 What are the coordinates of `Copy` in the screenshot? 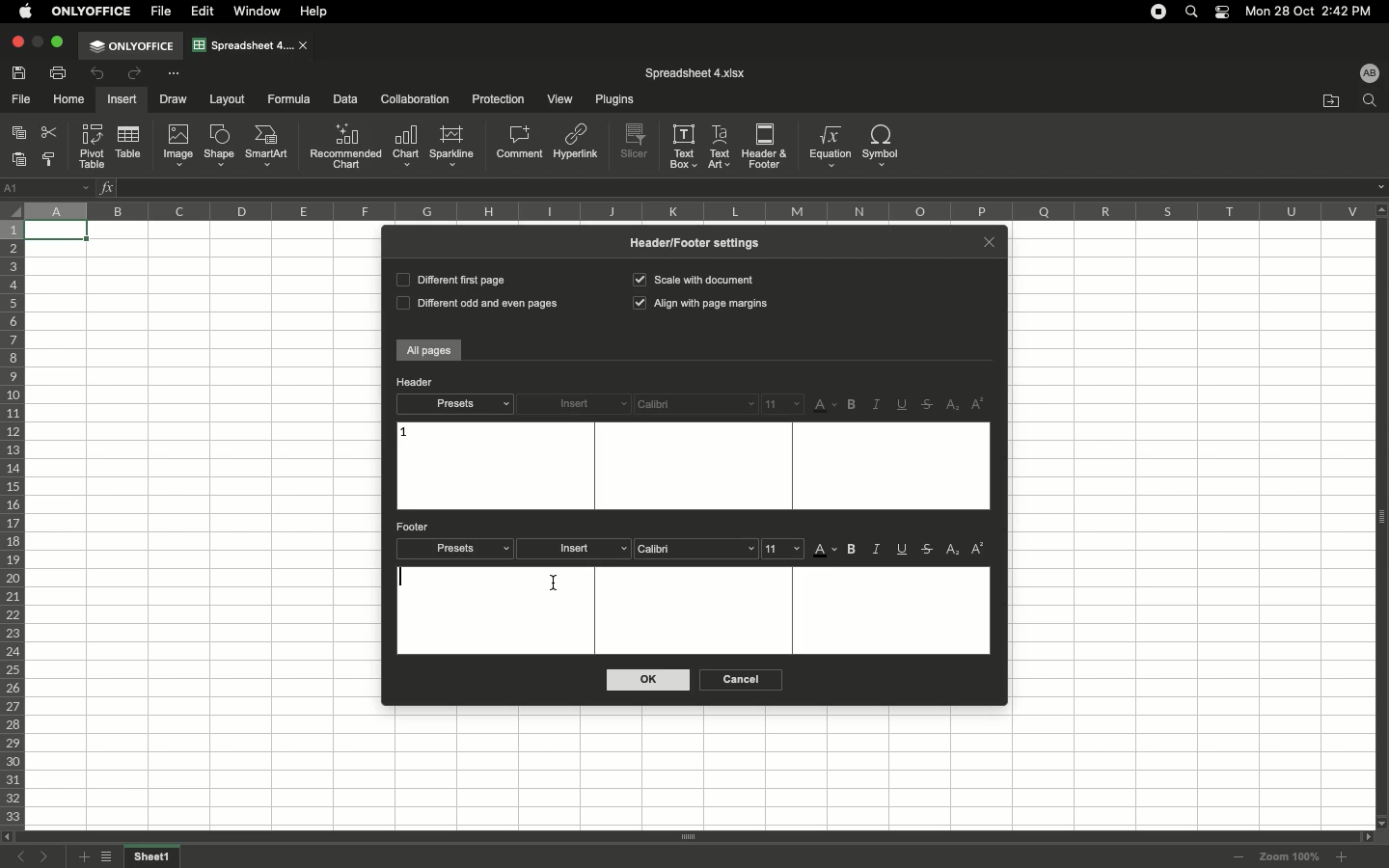 It's located at (21, 134).